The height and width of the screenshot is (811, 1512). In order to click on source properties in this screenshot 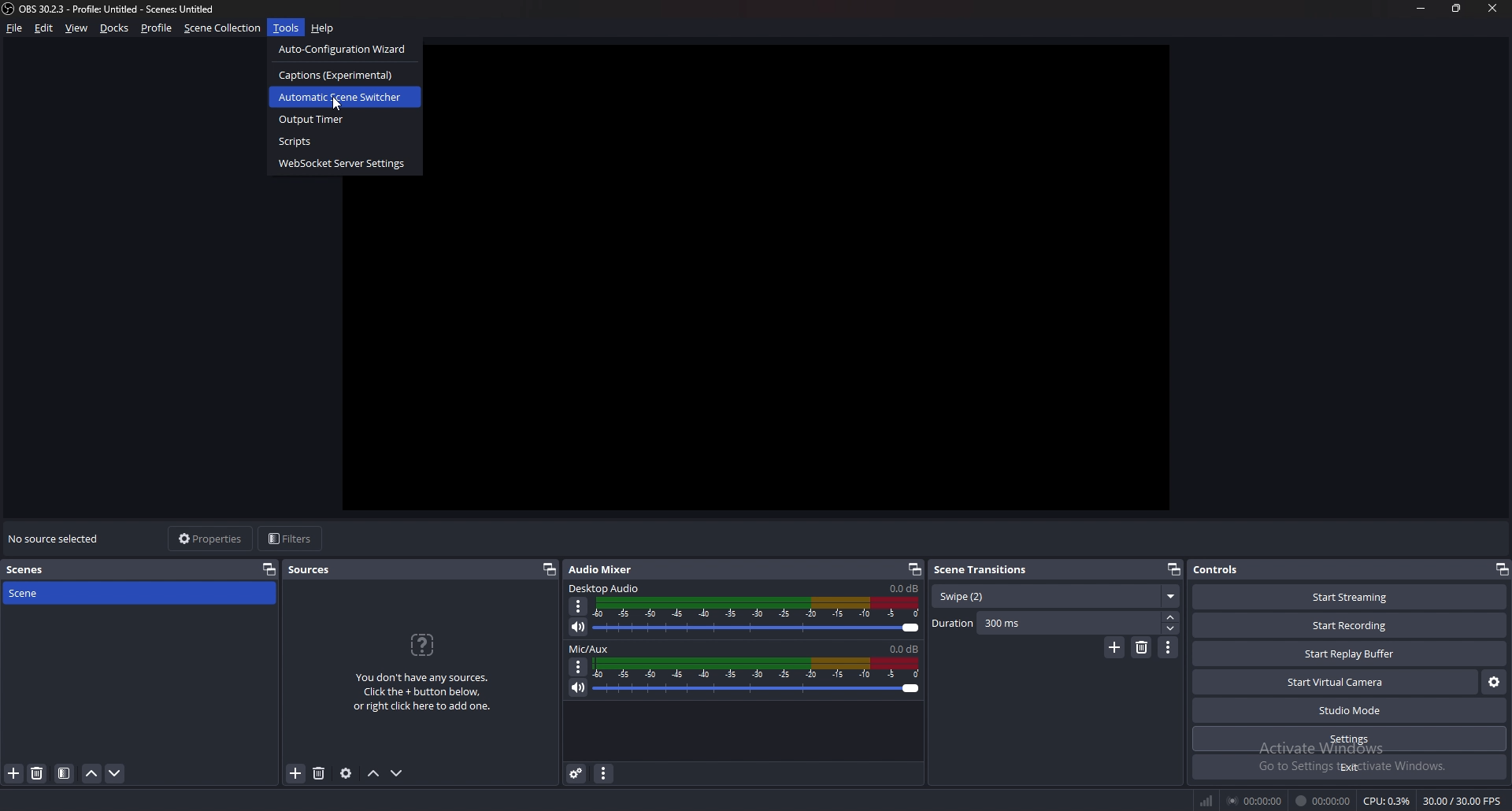, I will do `click(346, 772)`.